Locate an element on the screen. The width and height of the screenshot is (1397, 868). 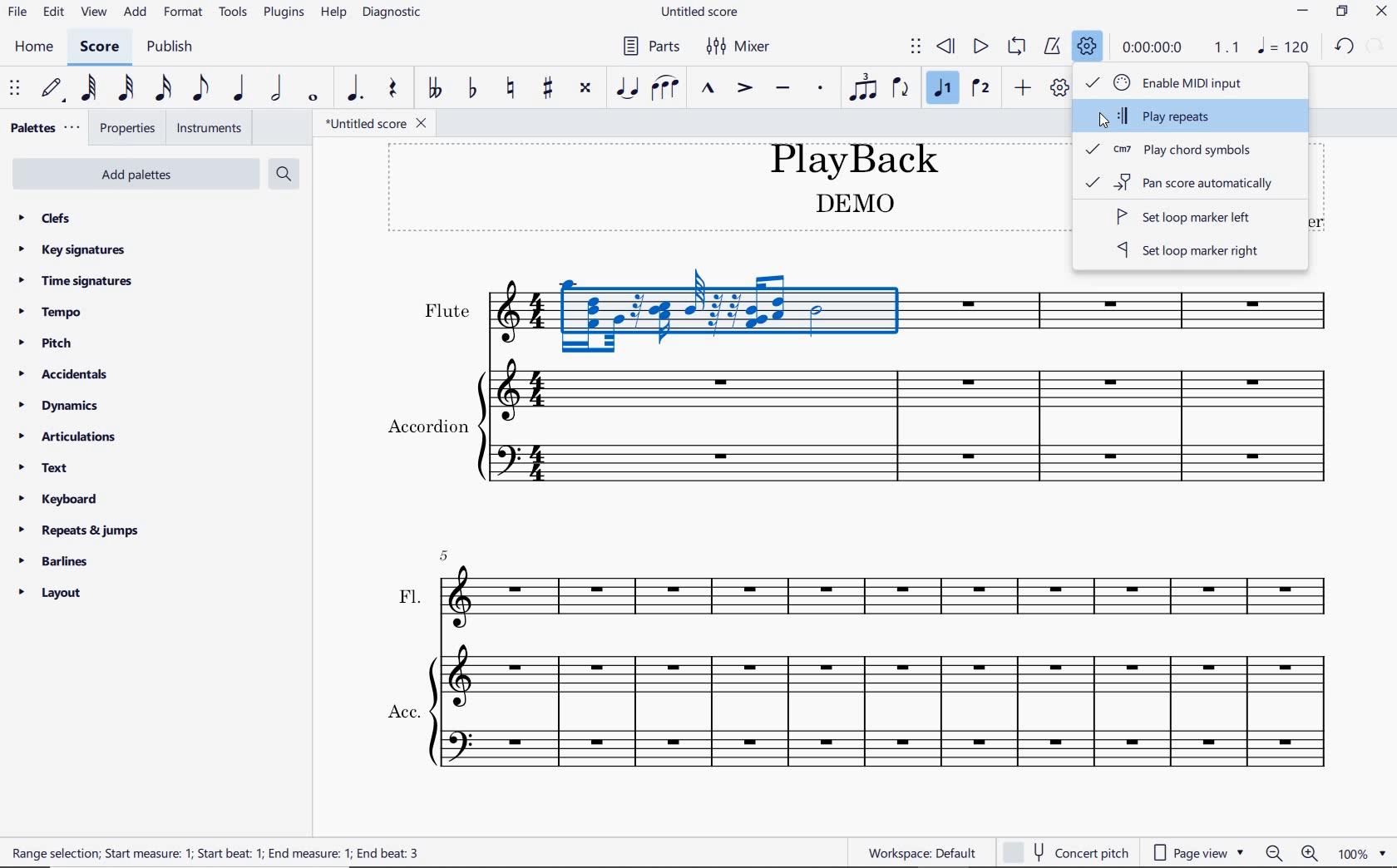
rewind is located at coordinates (946, 48).